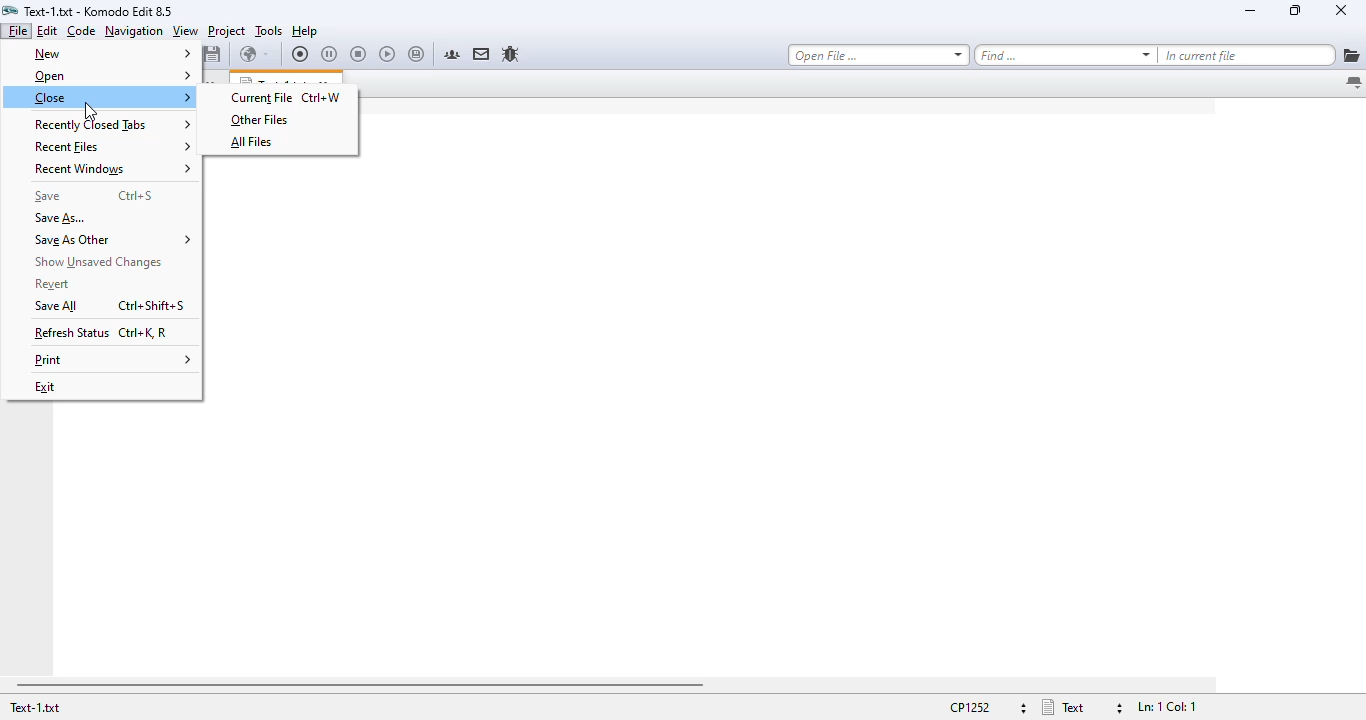 This screenshot has height=720, width=1366. I want to click on komodo email lists, so click(482, 53).